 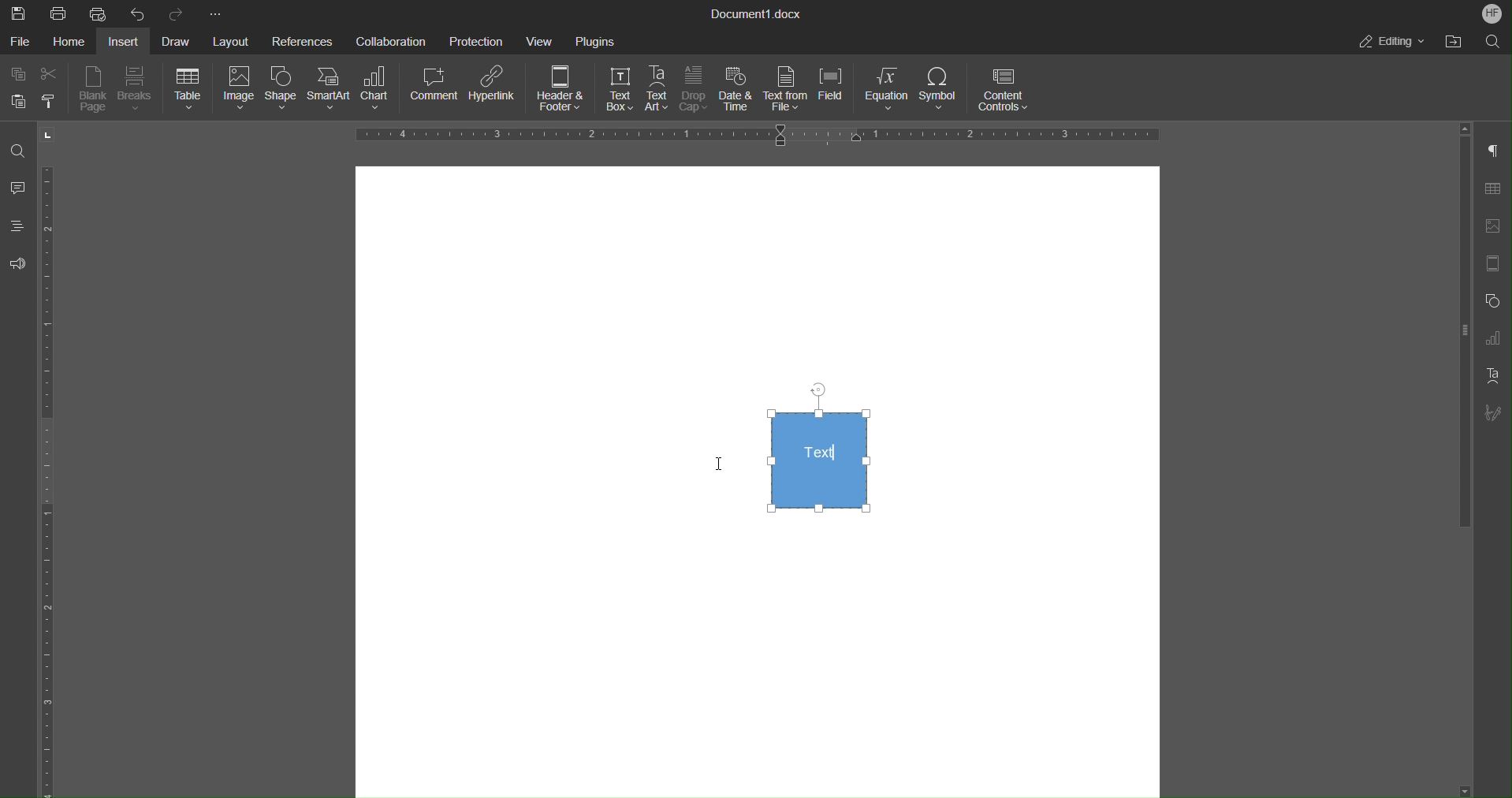 I want to click on Editing, so click(x=1393, y=42).